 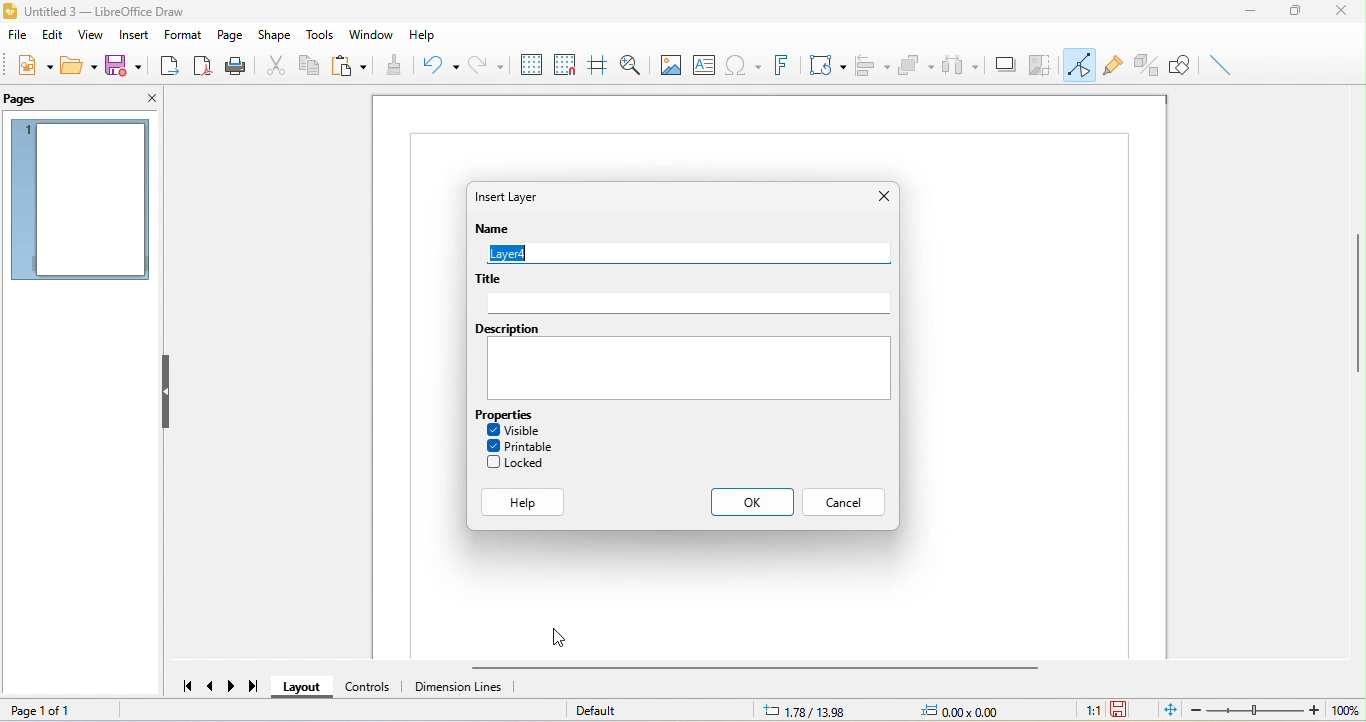 What do you see at coordinates (1167, 711) in the screenshot?
I see `fit page to current window` at bounding box center [1167, 711].